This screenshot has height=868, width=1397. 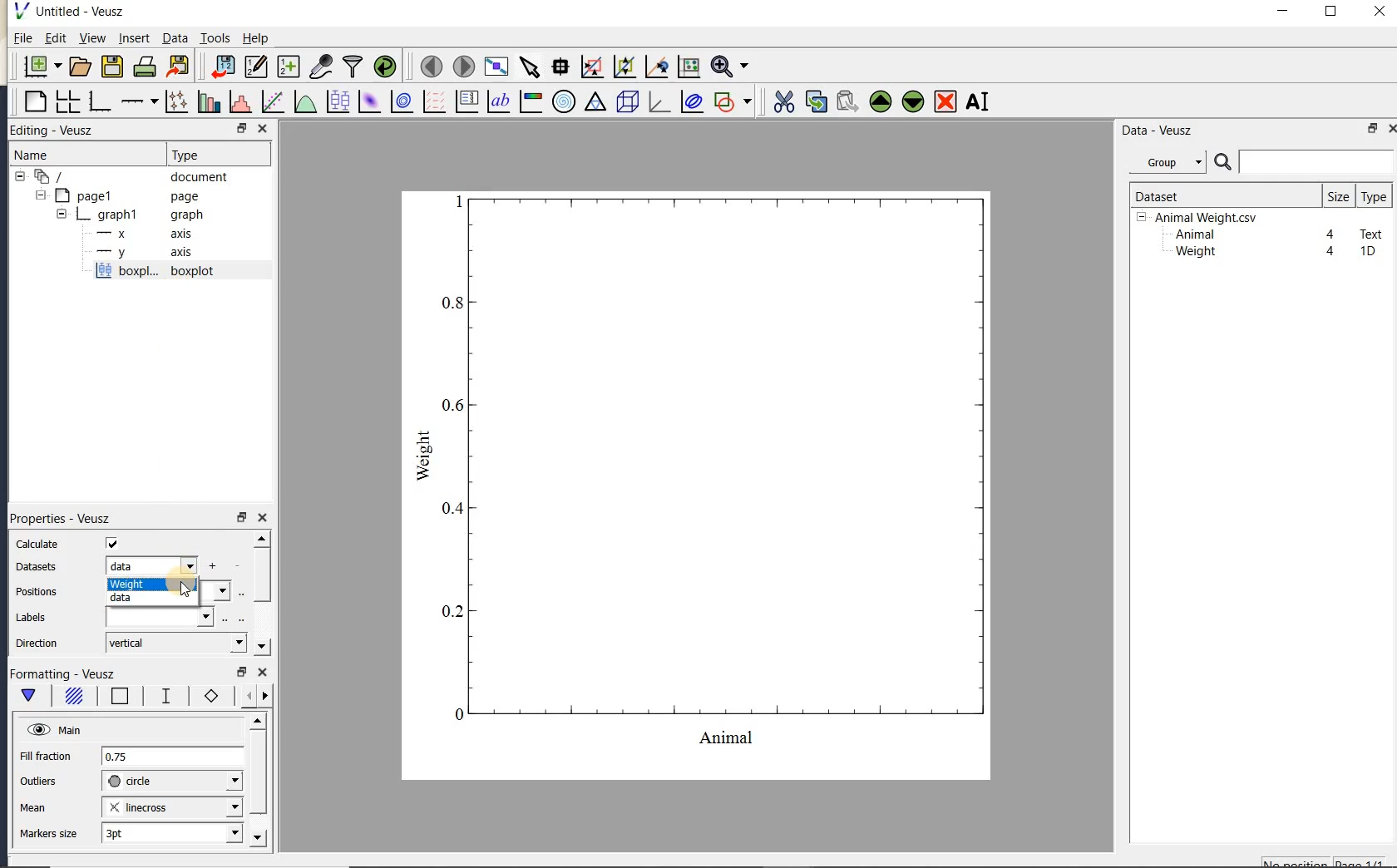 I want to click on view plot full screen, so click(x=496, y=67).